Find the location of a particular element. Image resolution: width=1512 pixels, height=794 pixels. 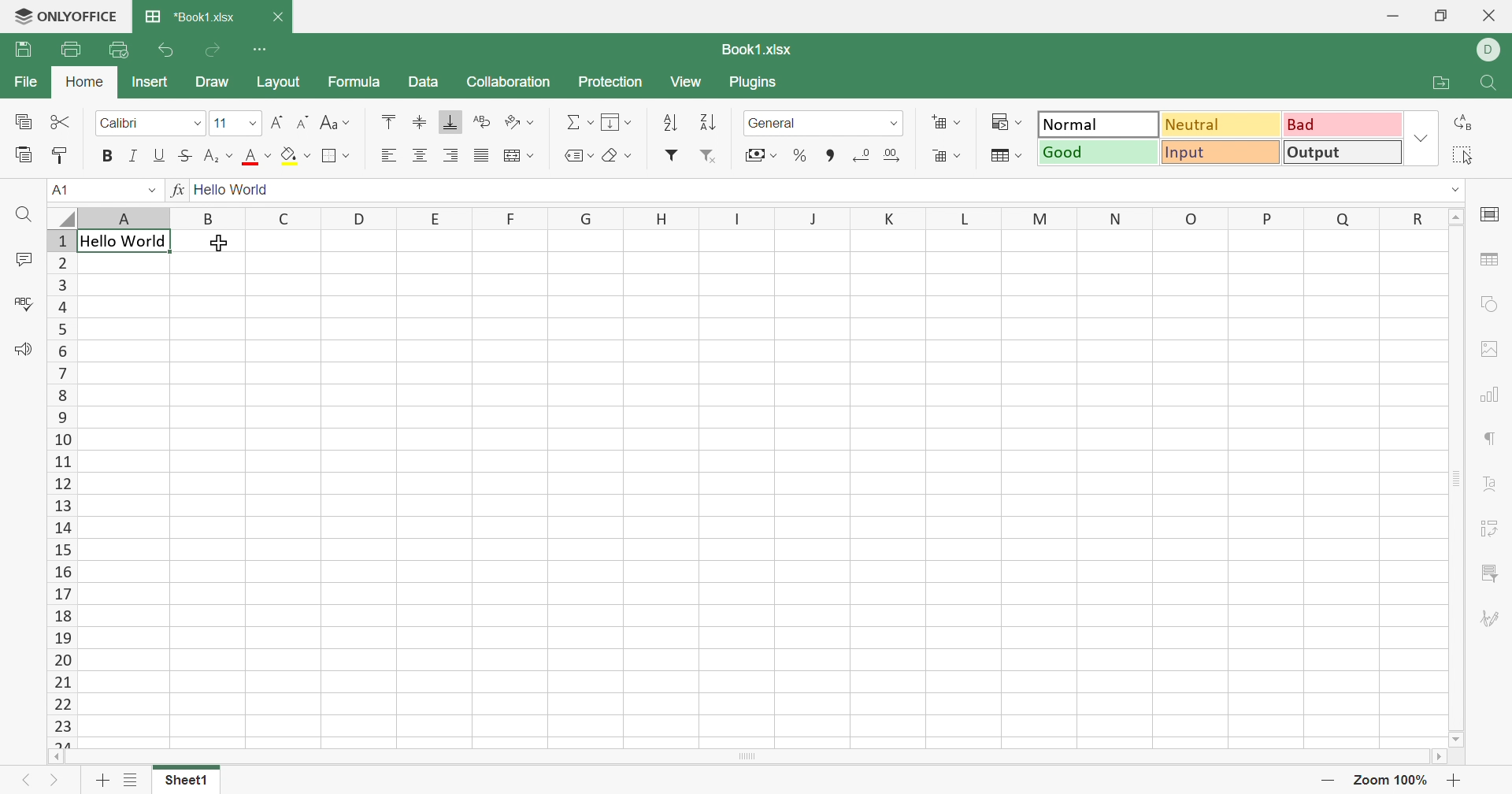

Spell checking is located at coordinates (26, 304).